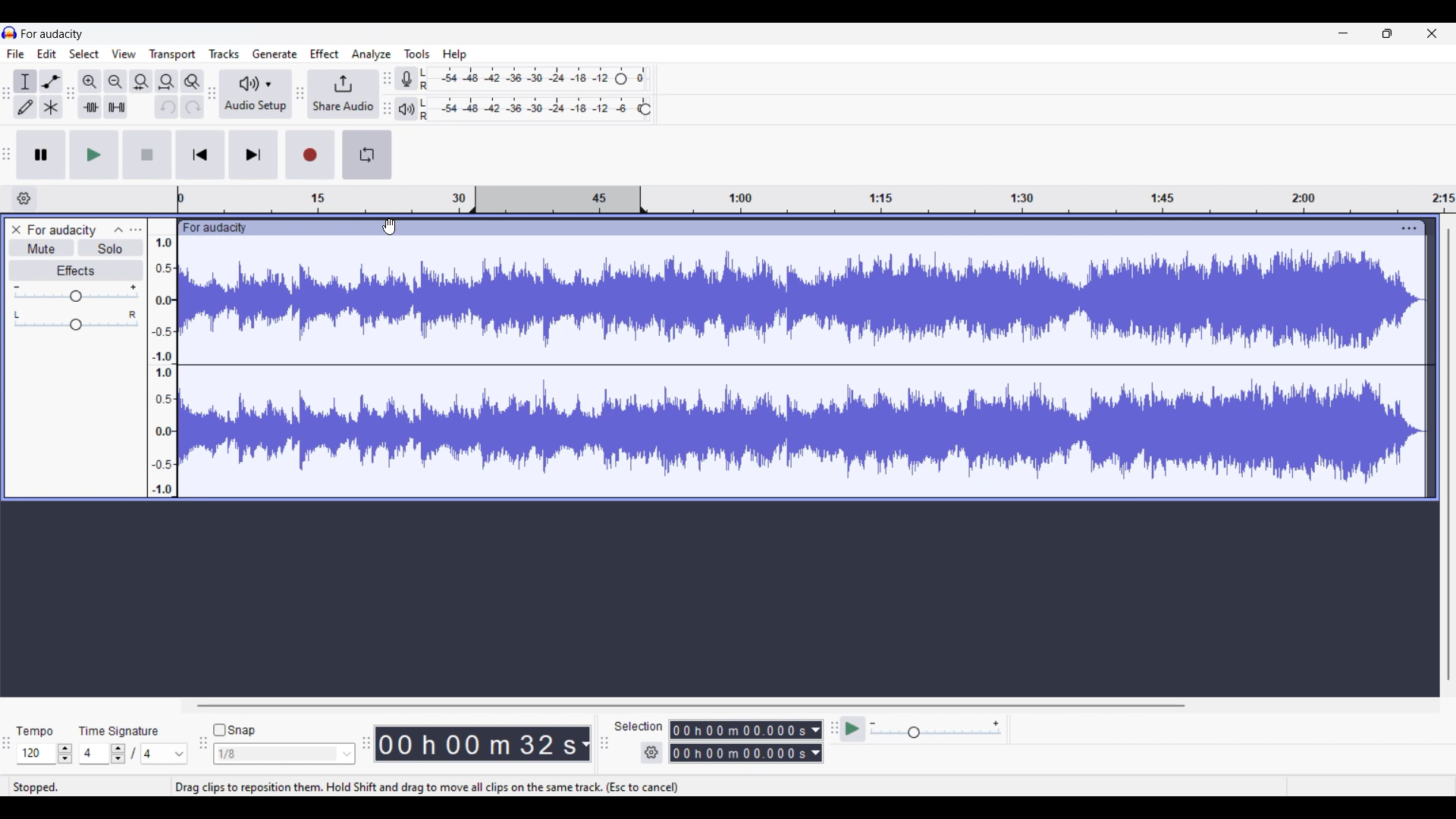 This screenshot has width=1456, height=819. I want to click on Selection duration tracker, so click(739, 730).